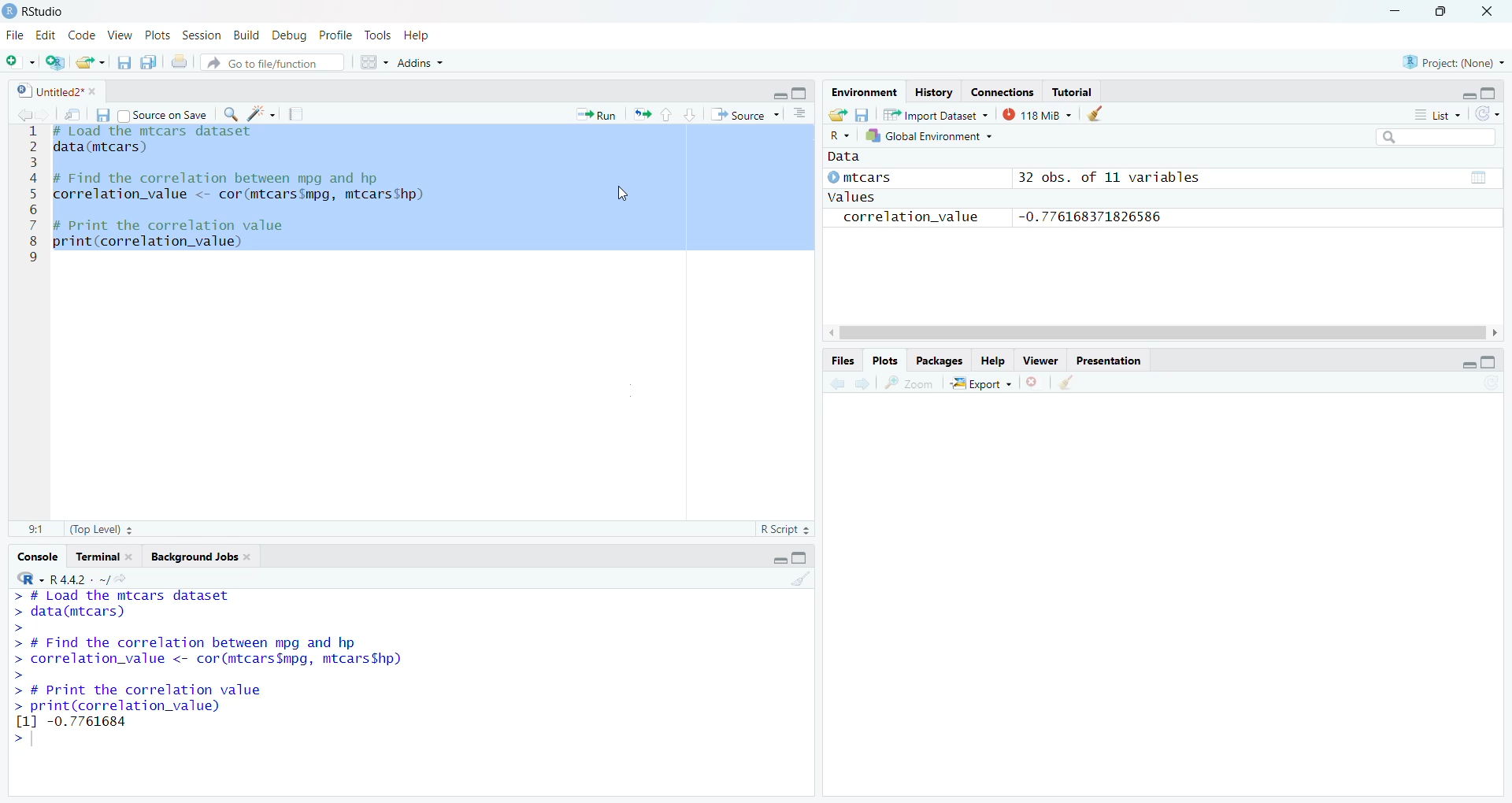  Describe the element at coordinates (296, 113) in the screenshot. I see `Compile Report (Ctrl + Shift + K)` at that location.